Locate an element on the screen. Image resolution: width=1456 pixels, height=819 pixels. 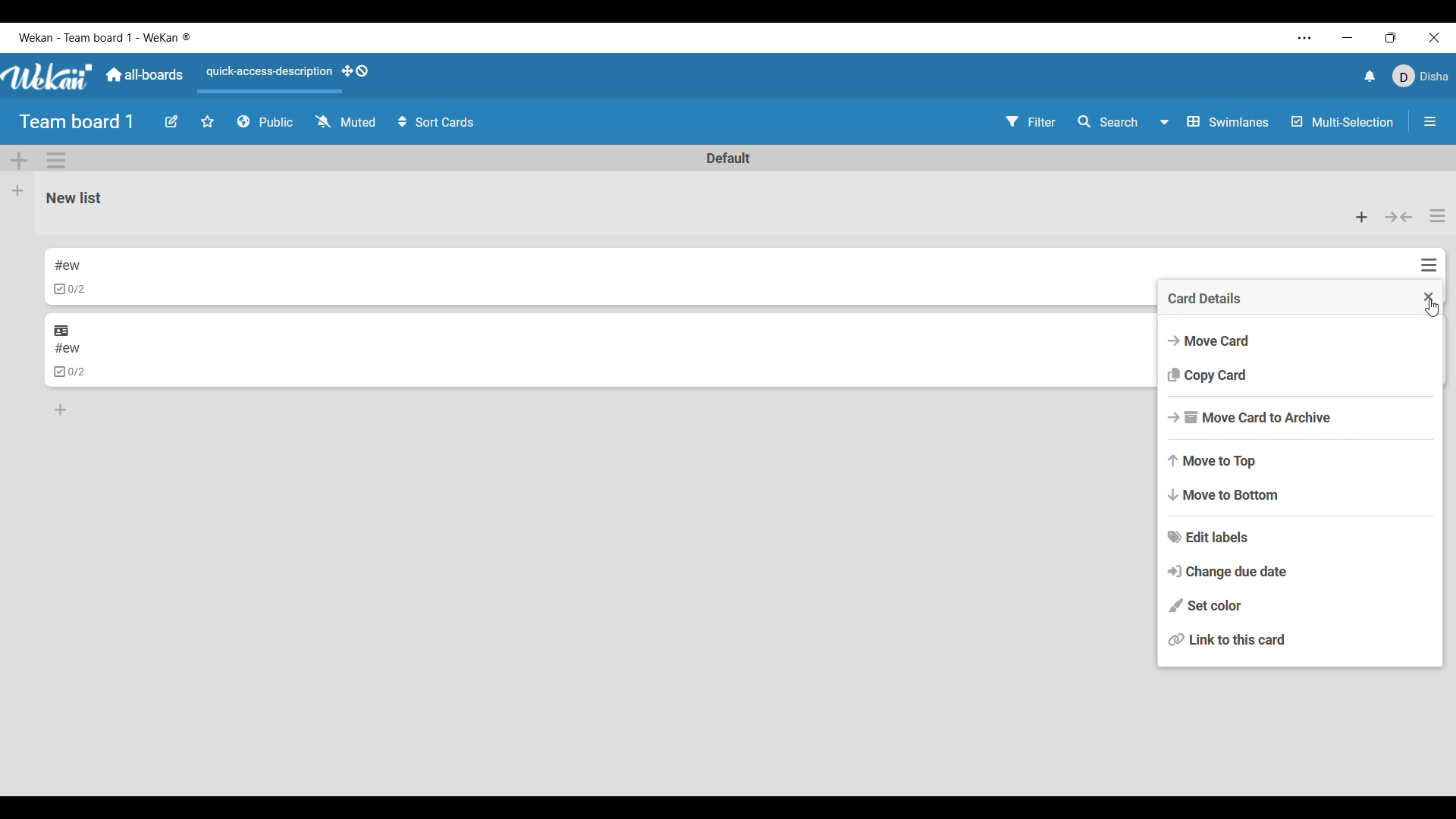
Change due date is located at coordinates (1301, 571).